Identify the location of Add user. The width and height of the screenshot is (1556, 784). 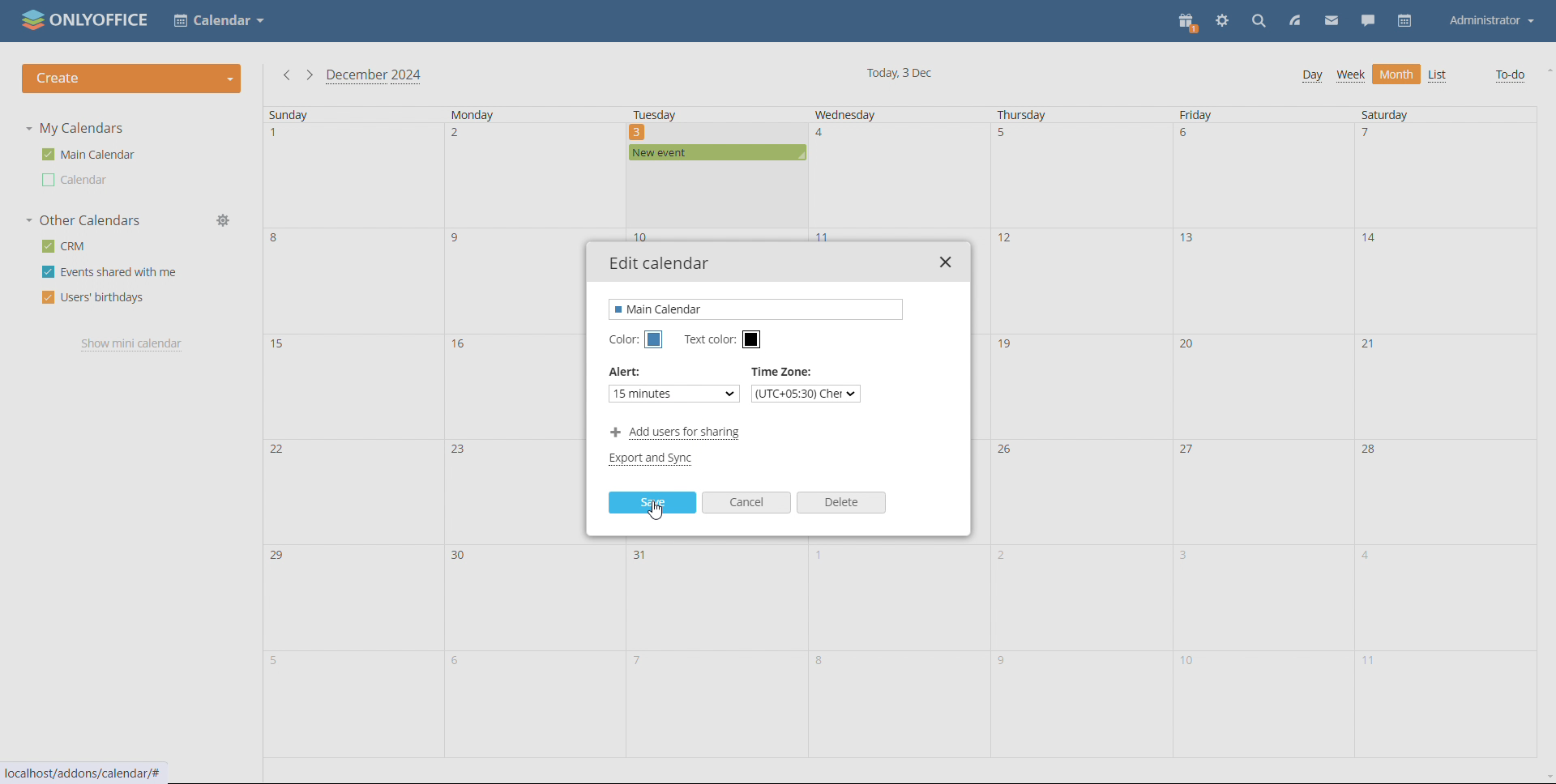
(675, 432).